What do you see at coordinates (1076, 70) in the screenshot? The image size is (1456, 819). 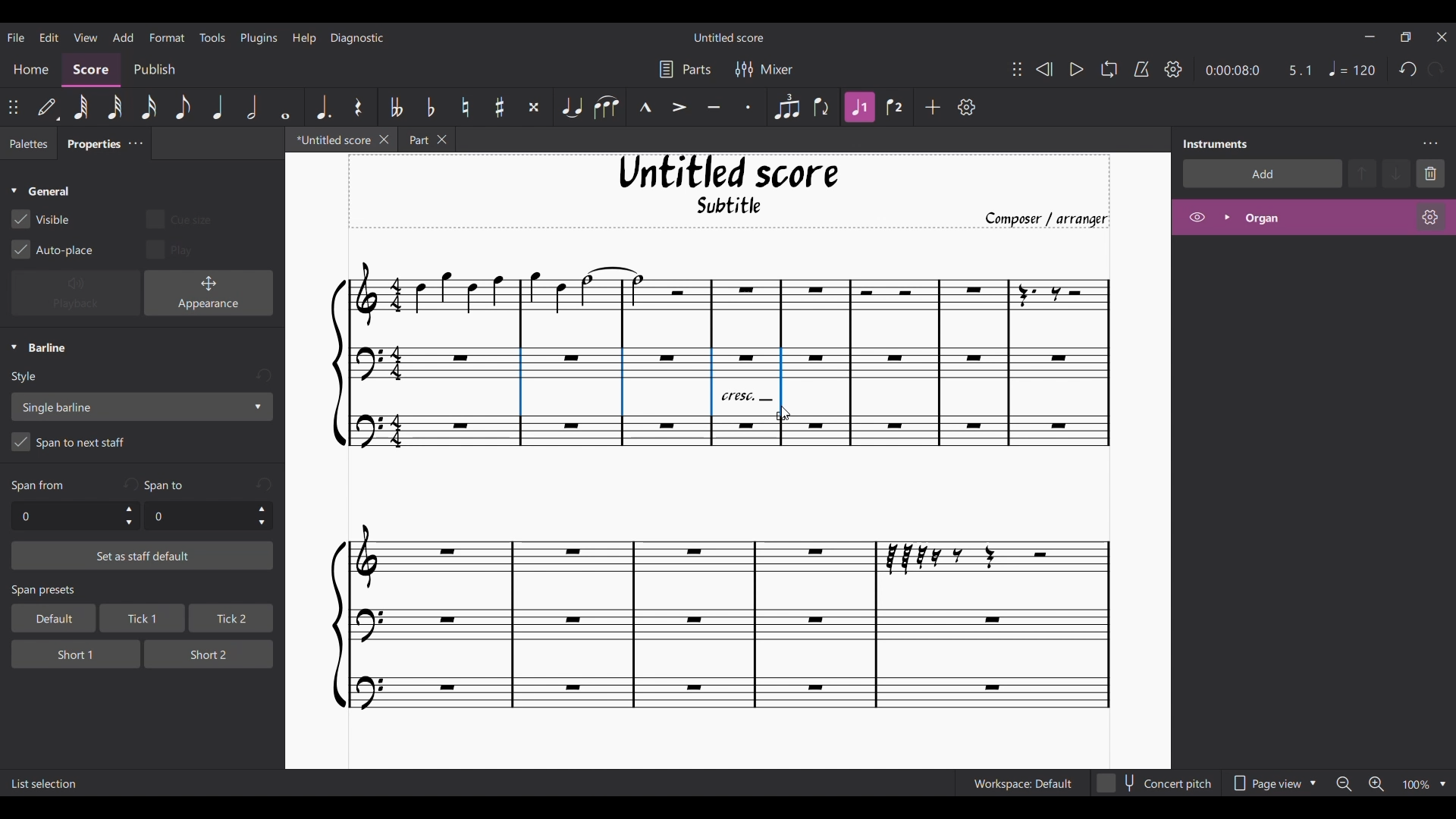 I see `Play` at bounding box center [1076, 70].